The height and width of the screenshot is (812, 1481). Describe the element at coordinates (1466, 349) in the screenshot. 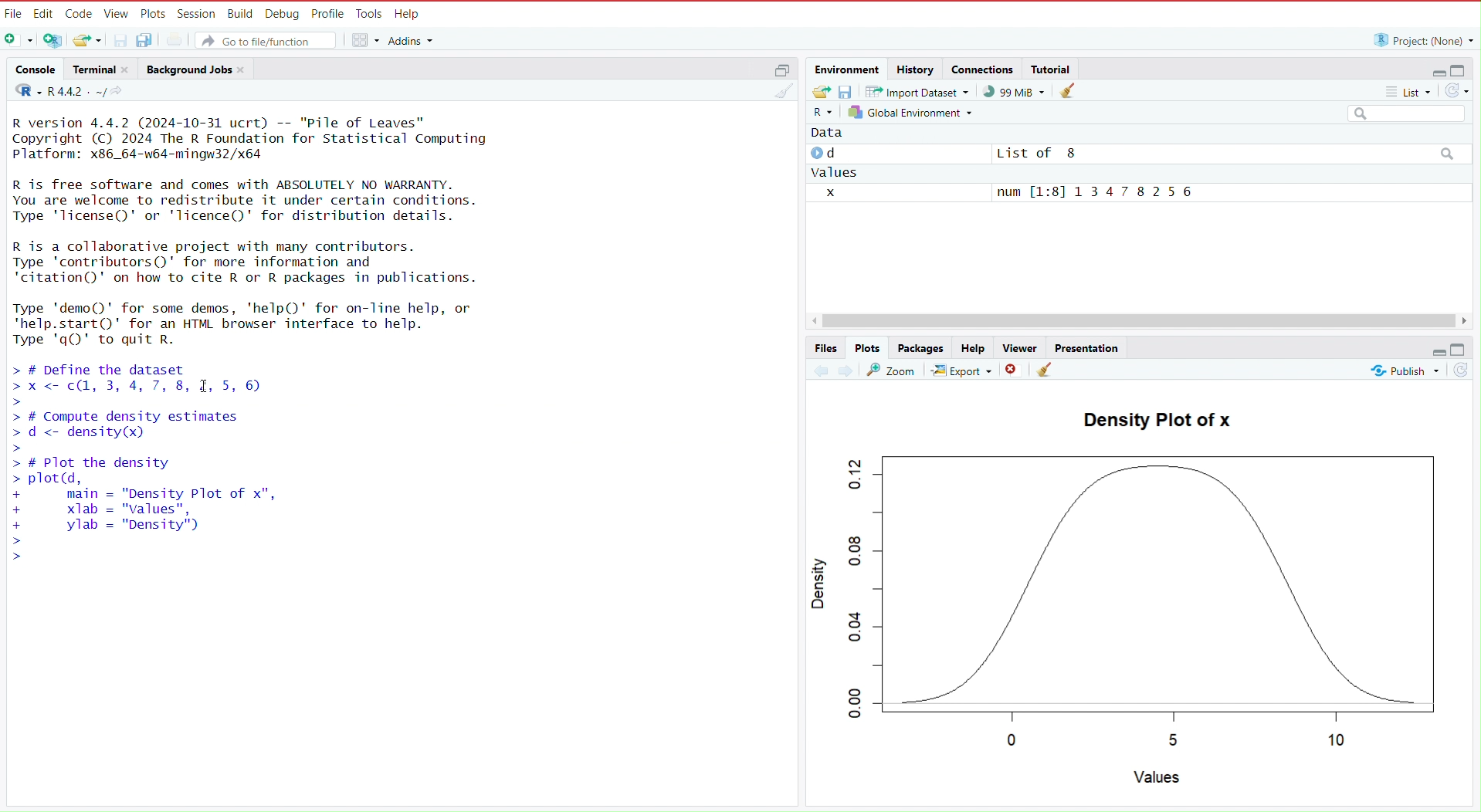

I see `maximize` at that location.